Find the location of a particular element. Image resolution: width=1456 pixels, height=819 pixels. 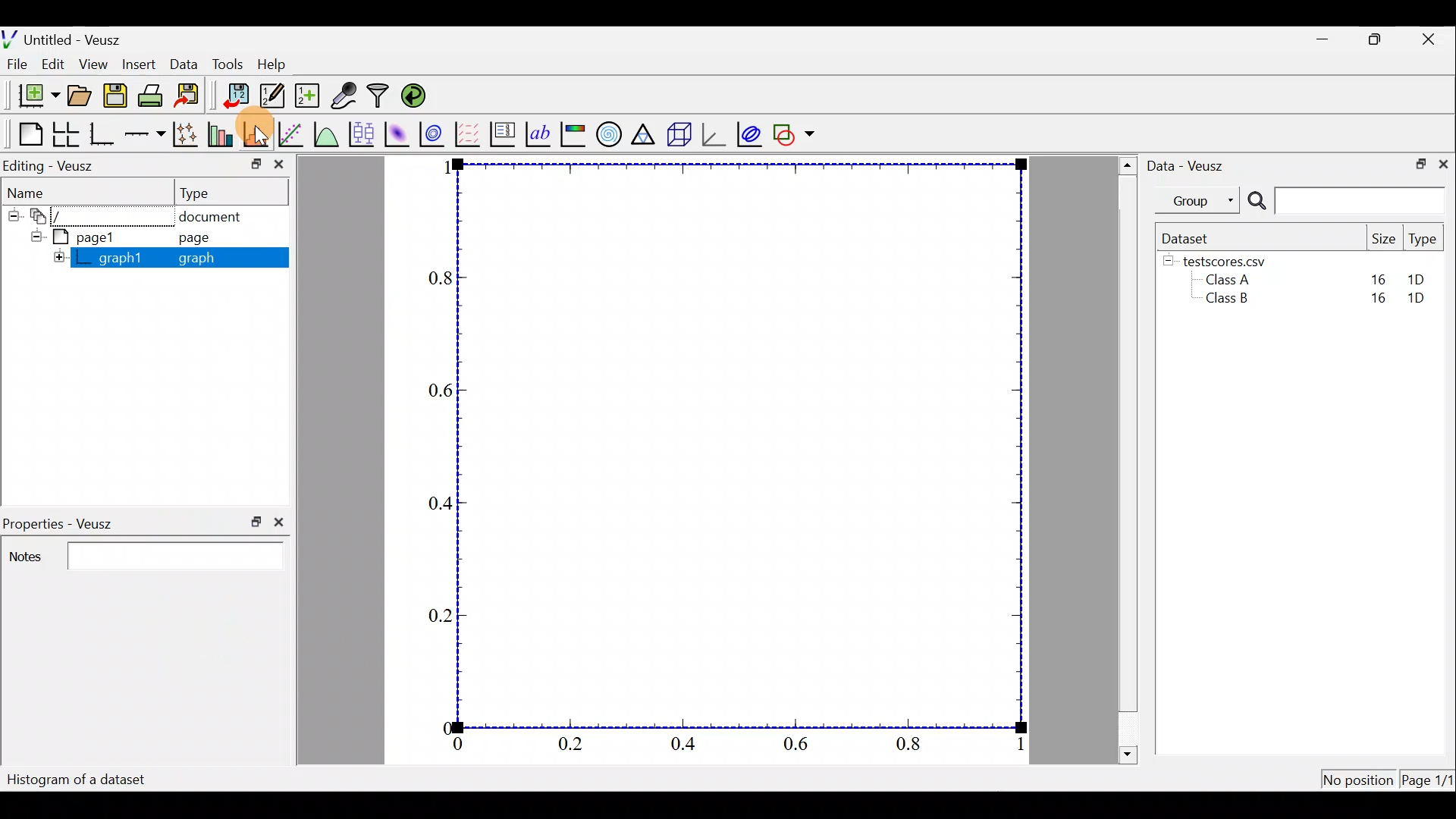

Save the document is located at coordinates (115, 93).